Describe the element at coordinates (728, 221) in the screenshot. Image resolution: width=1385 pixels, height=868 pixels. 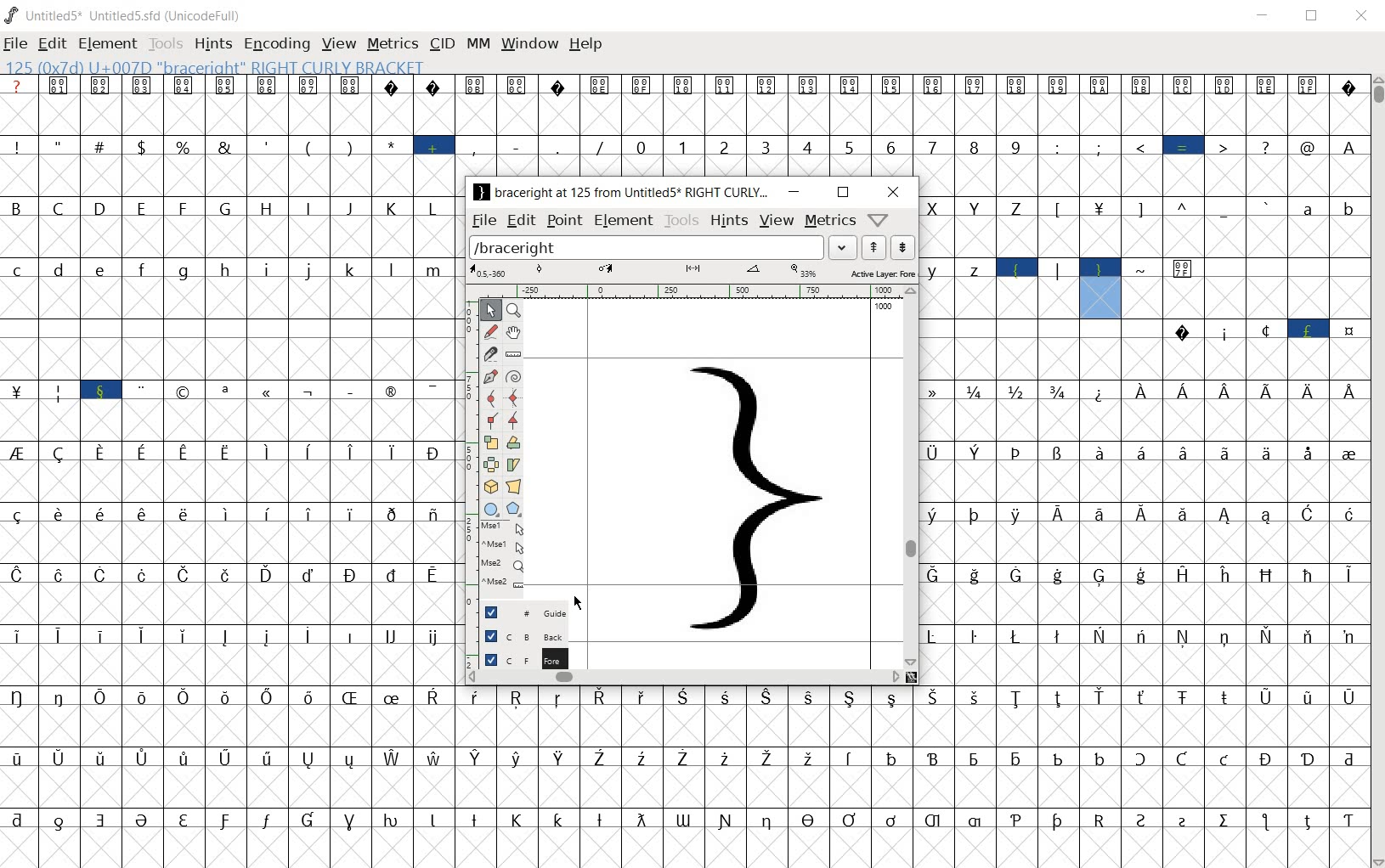
I see `hints` at that location.